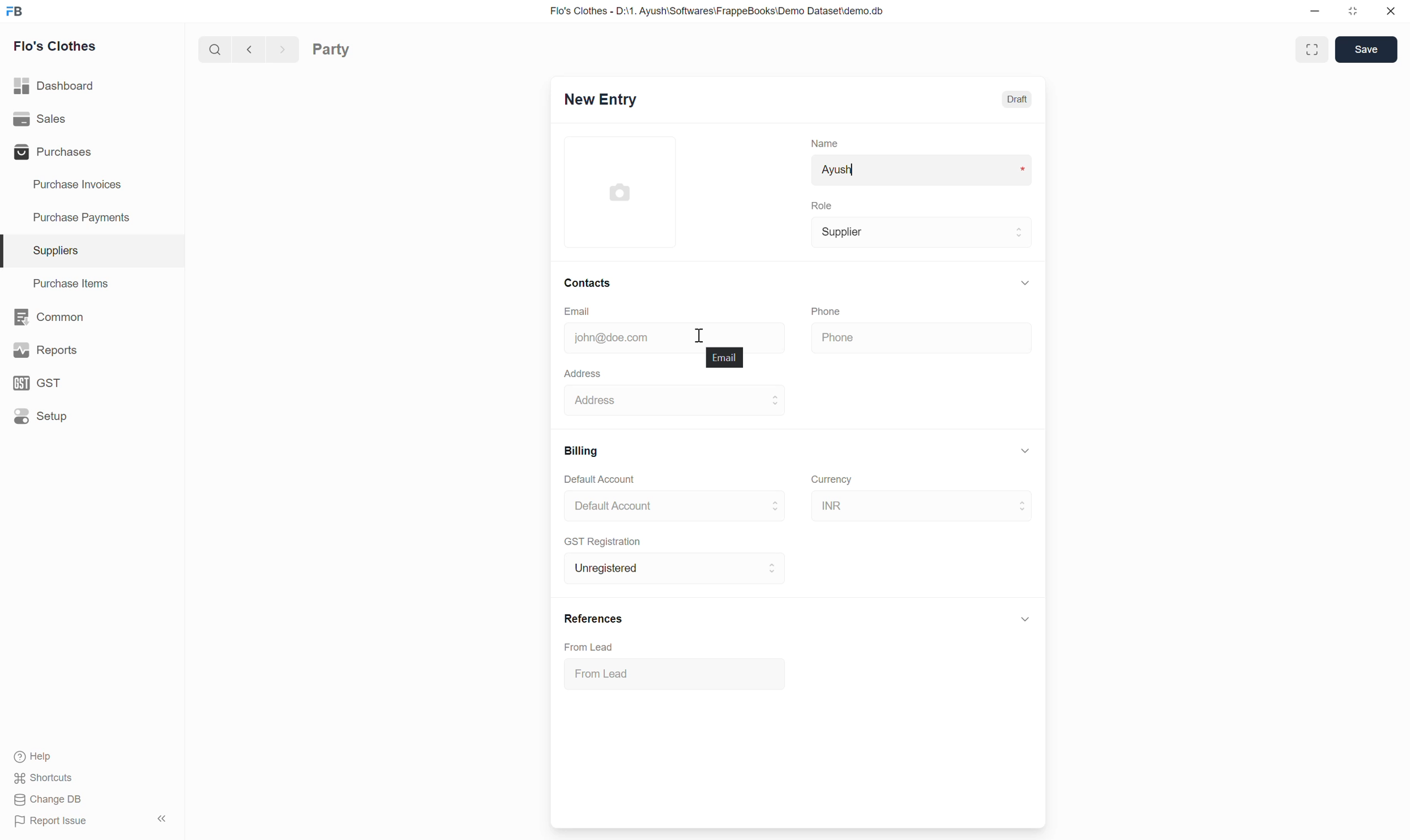 The width and height of the screenshot is (1410, 840). I want to click on Next, so click(283, 49).